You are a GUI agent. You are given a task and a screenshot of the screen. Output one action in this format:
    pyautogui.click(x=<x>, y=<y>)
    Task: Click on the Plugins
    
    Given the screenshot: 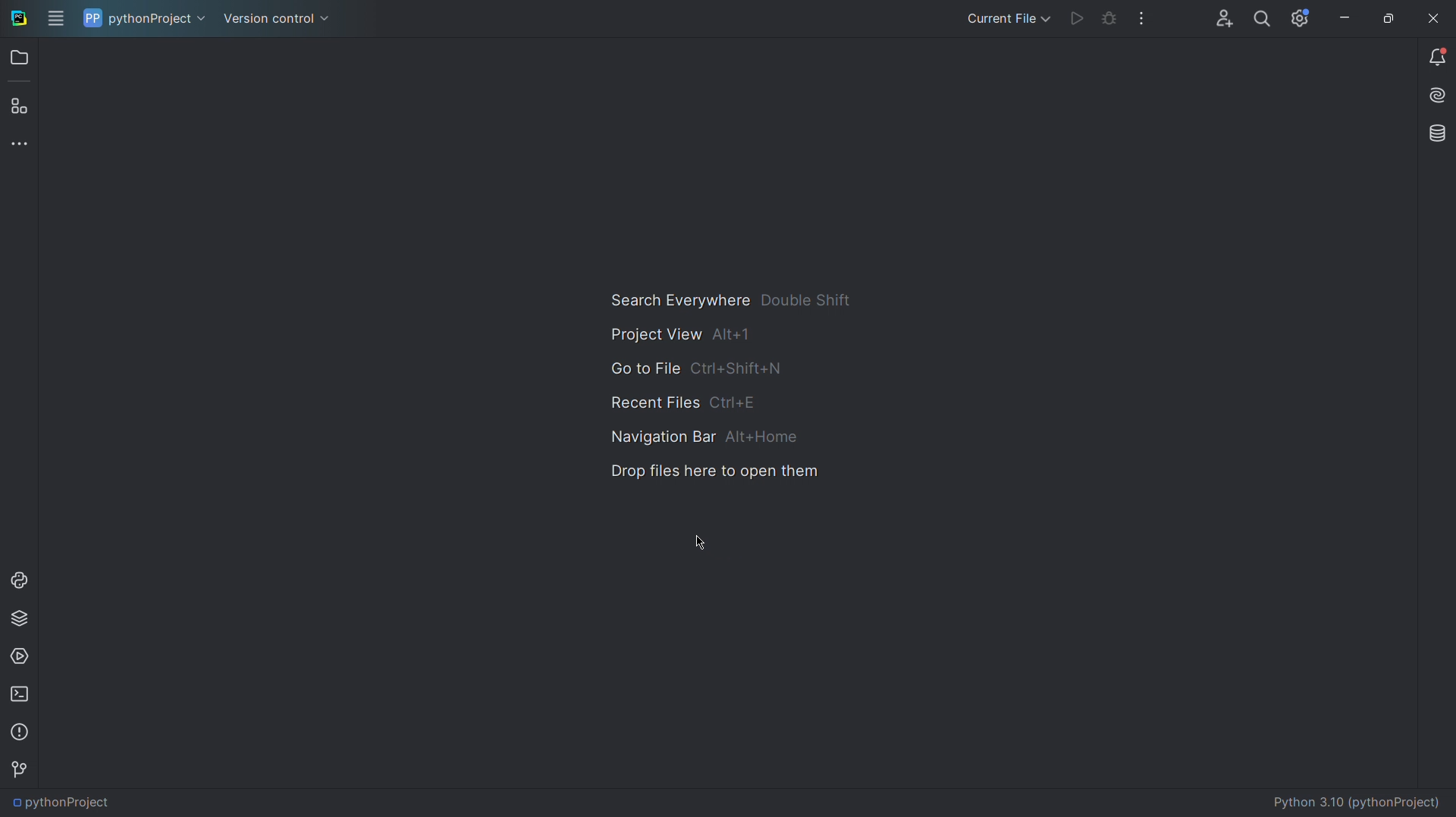 What is the action you would take?
    pyautogui.click(x=23, y=100)
    